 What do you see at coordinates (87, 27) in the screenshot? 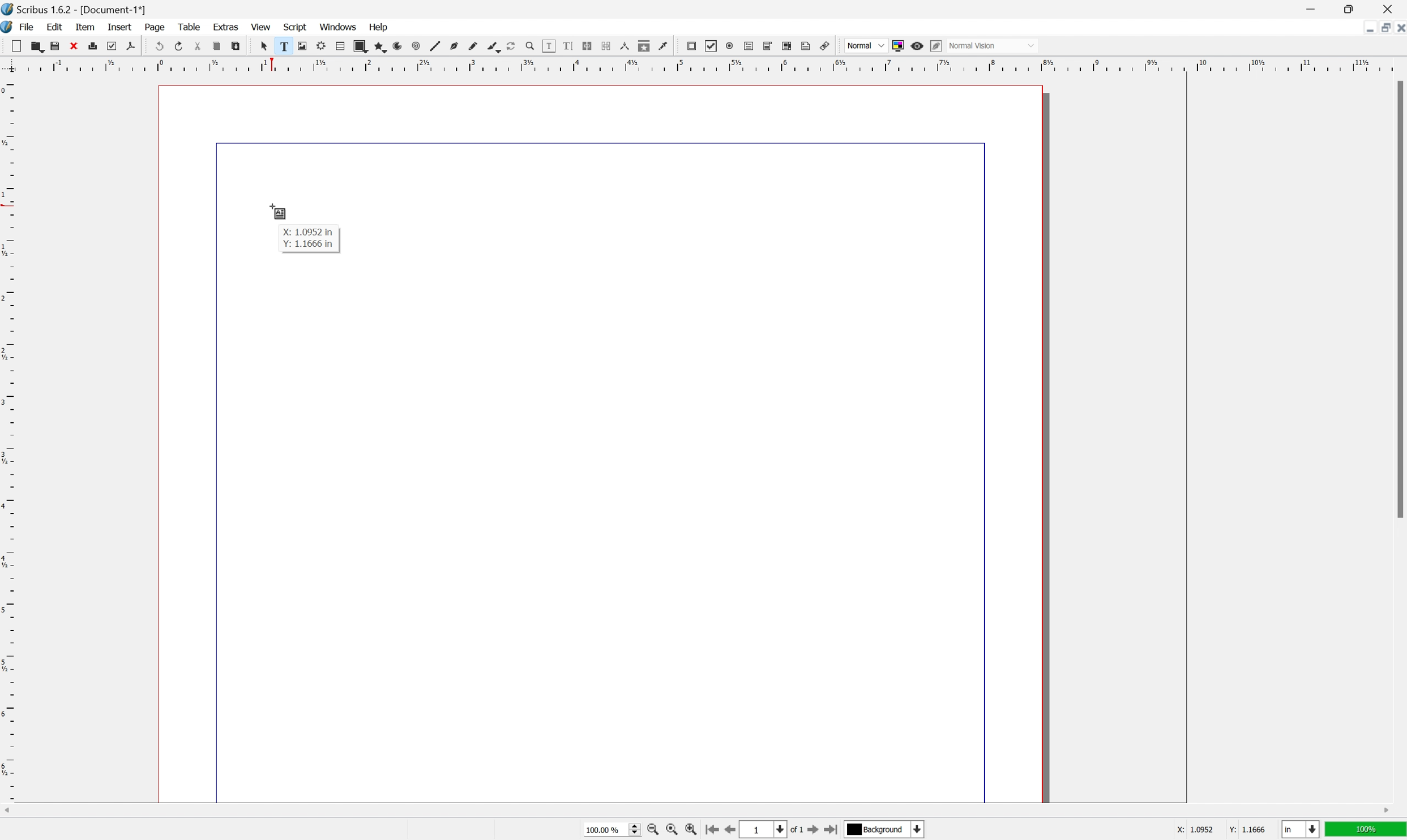
I see `item` at bounding box center [87, 27].